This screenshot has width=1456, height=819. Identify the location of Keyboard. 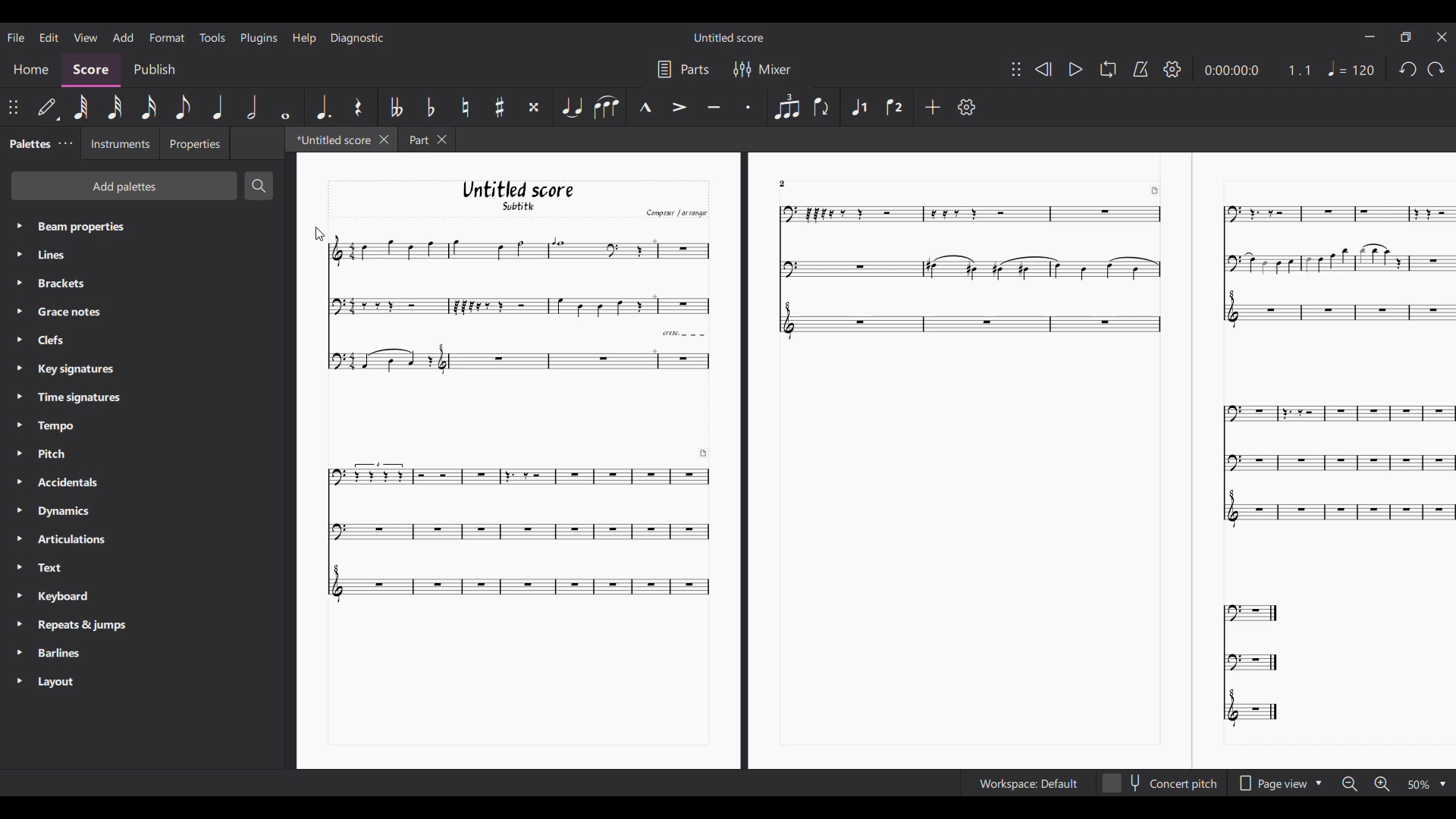
(73, 598).